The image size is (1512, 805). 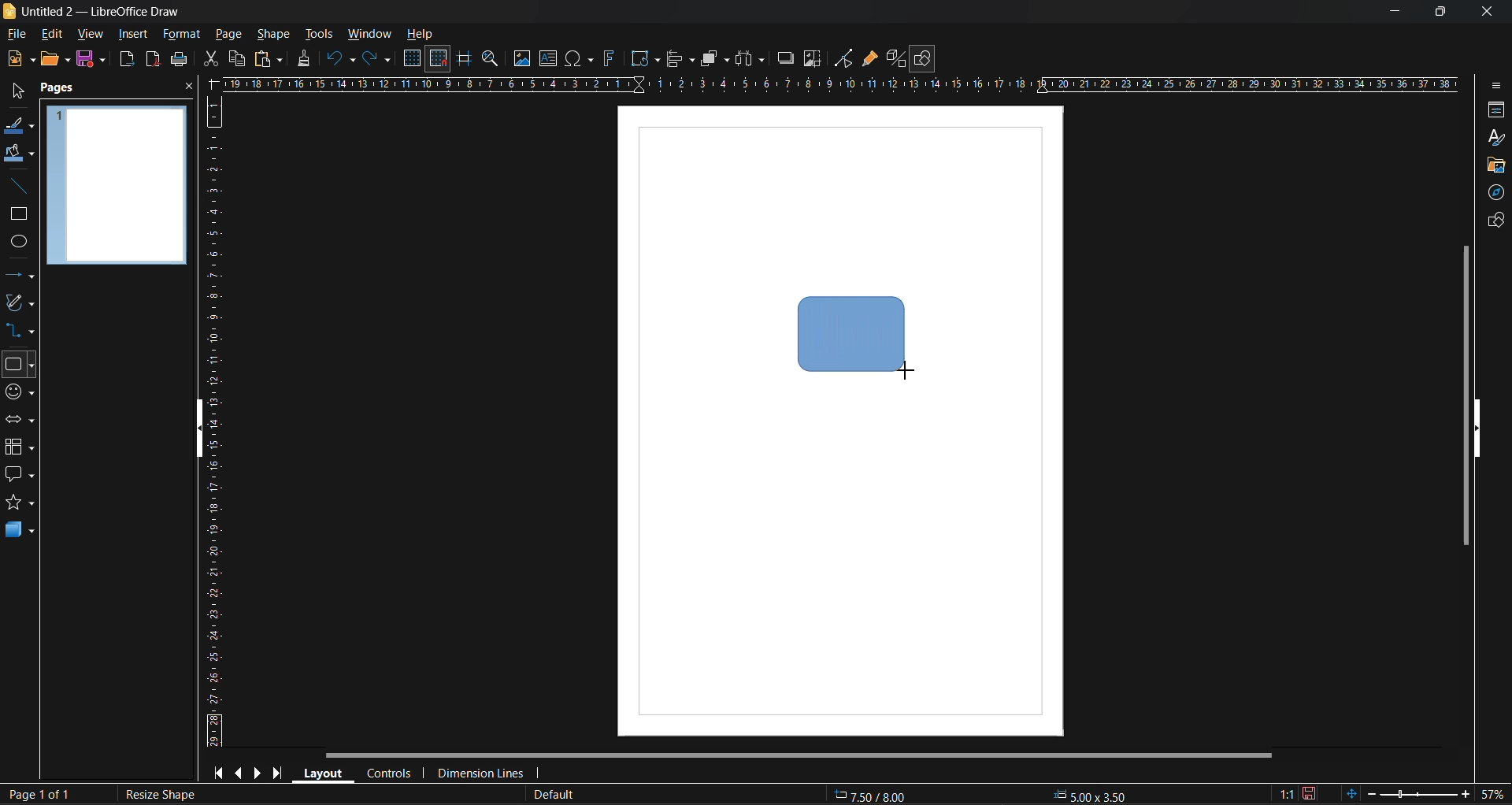 I want to click on close, so click(x=189, y=87).